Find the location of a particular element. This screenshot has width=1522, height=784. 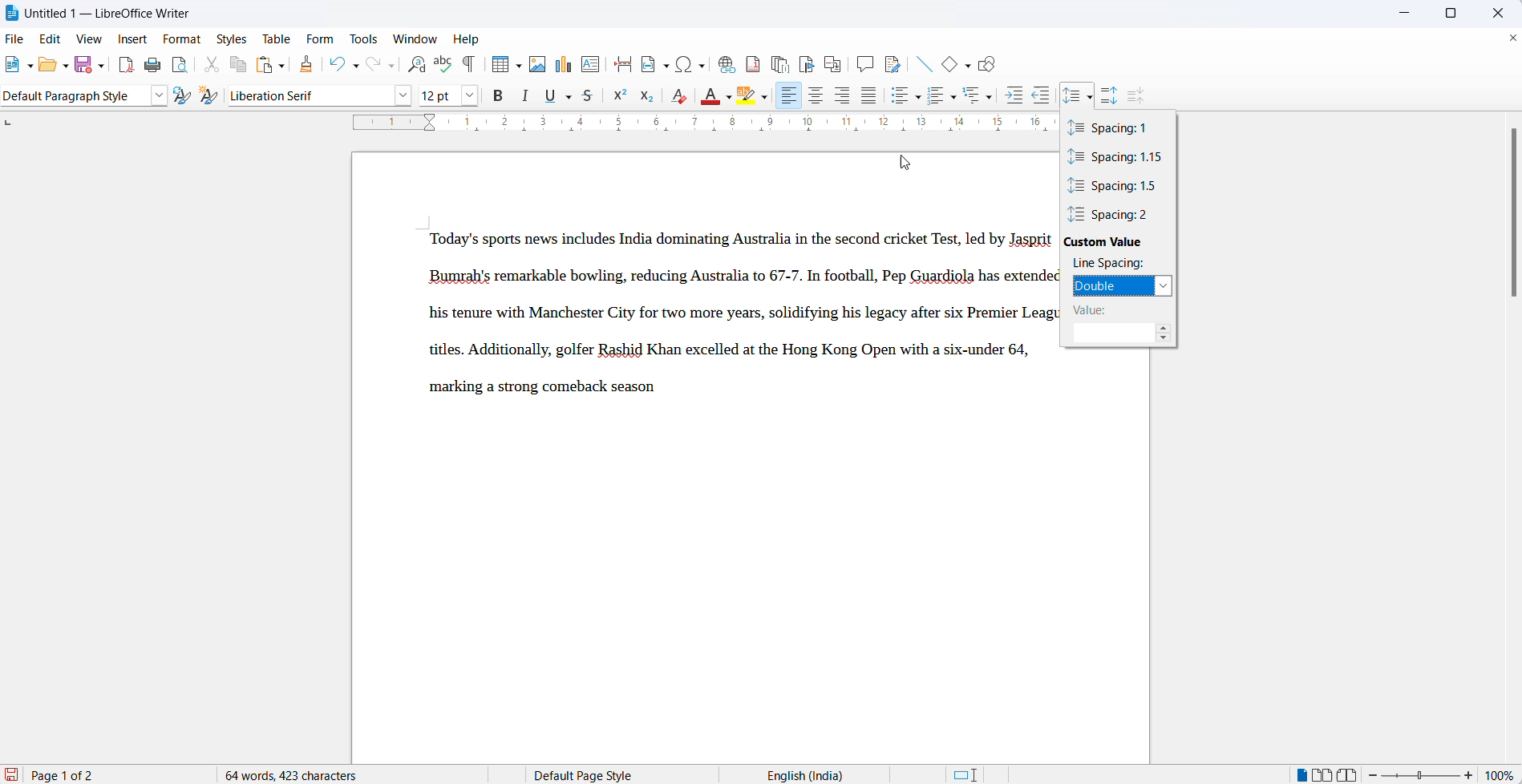

cut is located at coordinates (213, 64).